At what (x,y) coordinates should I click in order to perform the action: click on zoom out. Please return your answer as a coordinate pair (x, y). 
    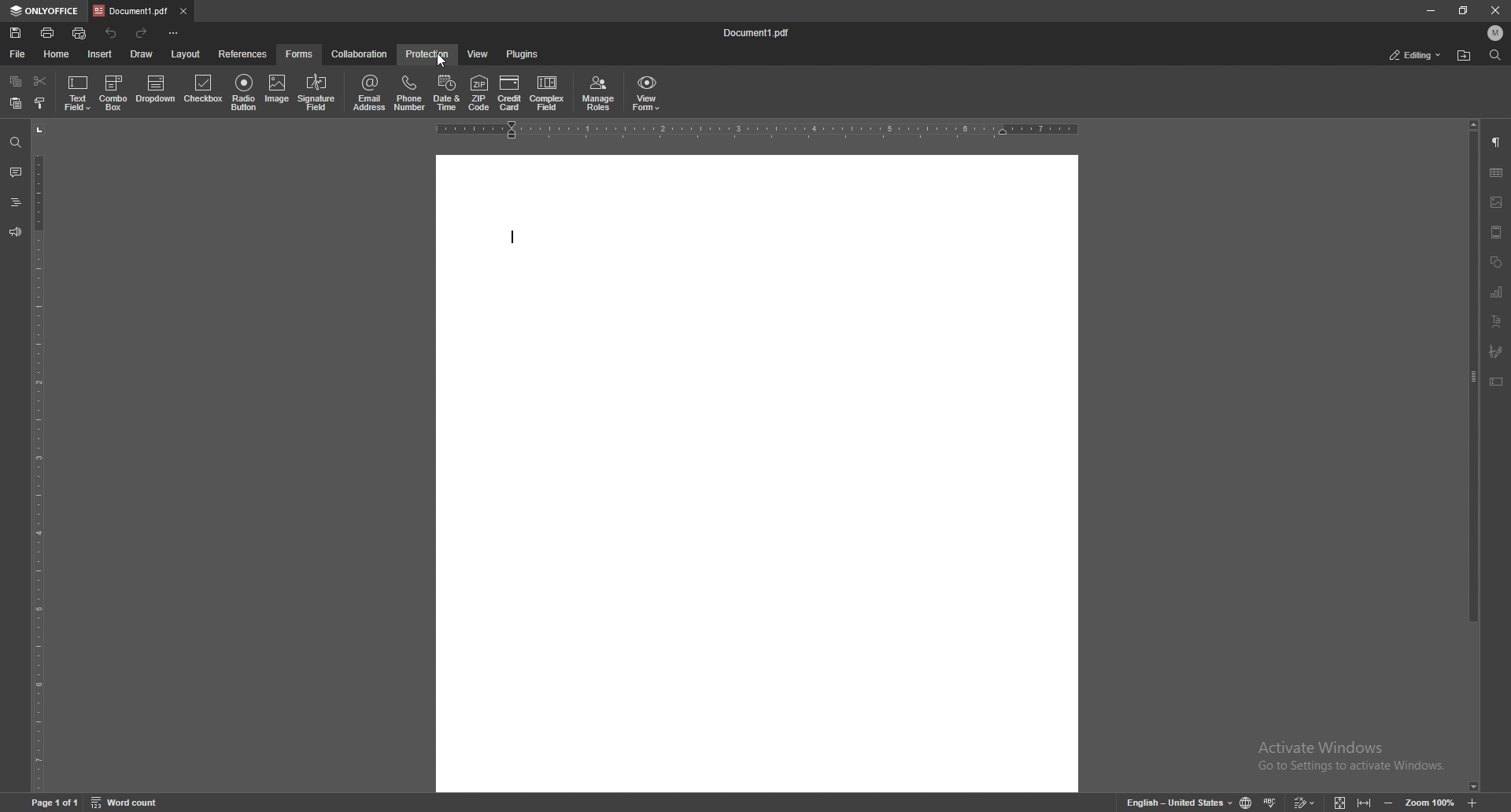
    Looking at the image, I should click on (1391, 801).